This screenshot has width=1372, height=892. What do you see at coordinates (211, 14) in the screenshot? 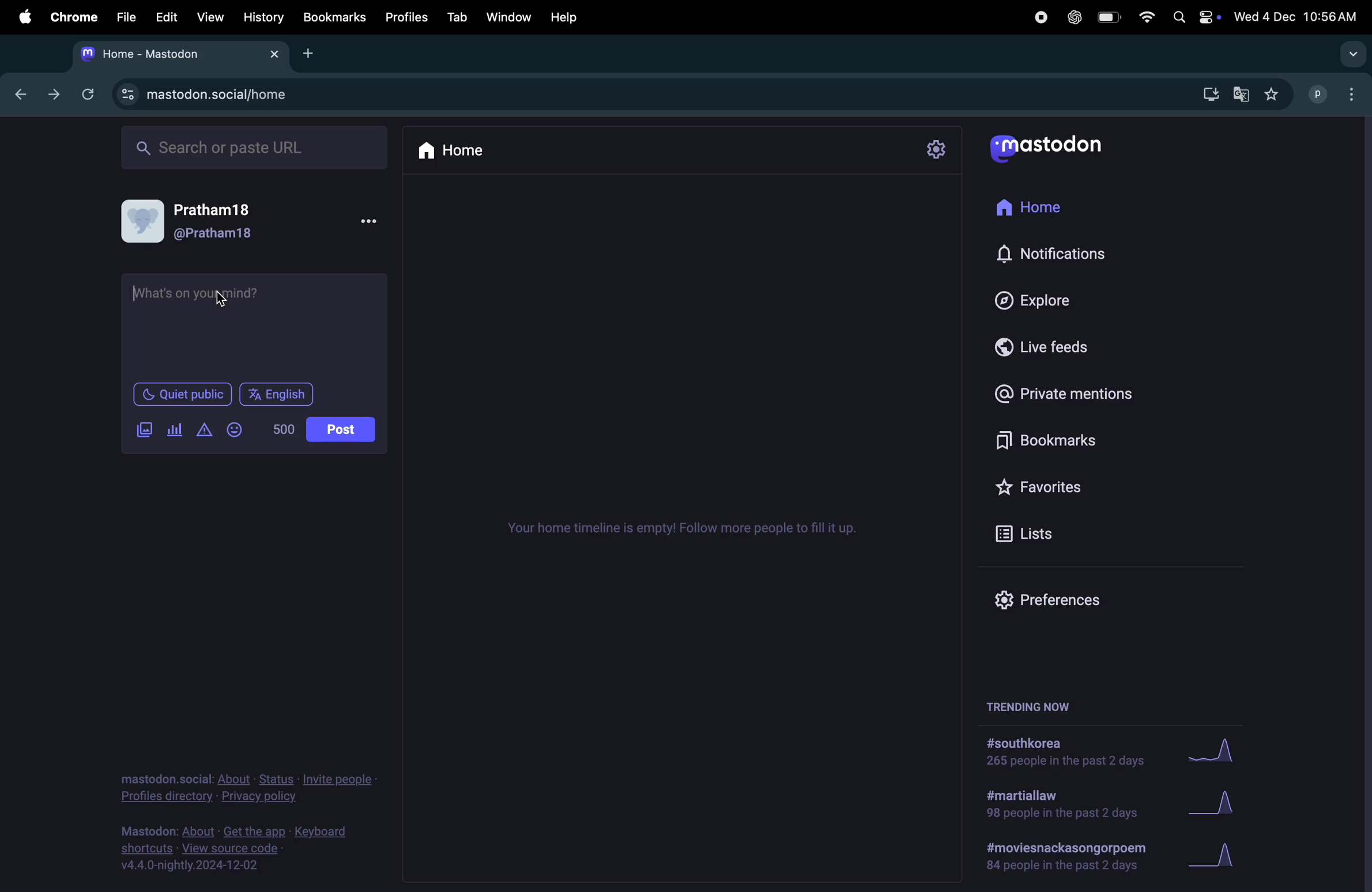
I see `View` at bounding box center [211, 14].